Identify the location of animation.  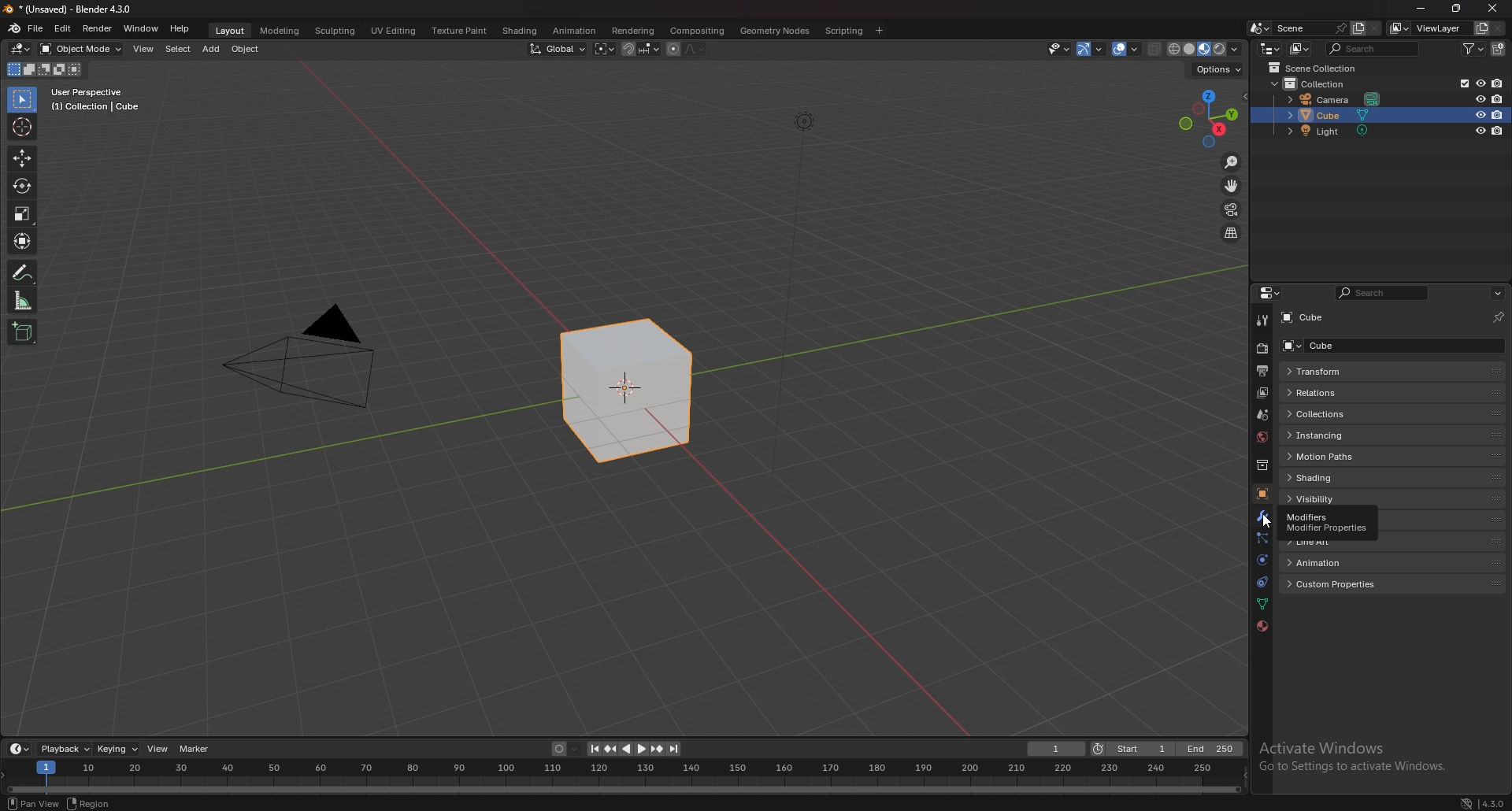
(1338, 563).